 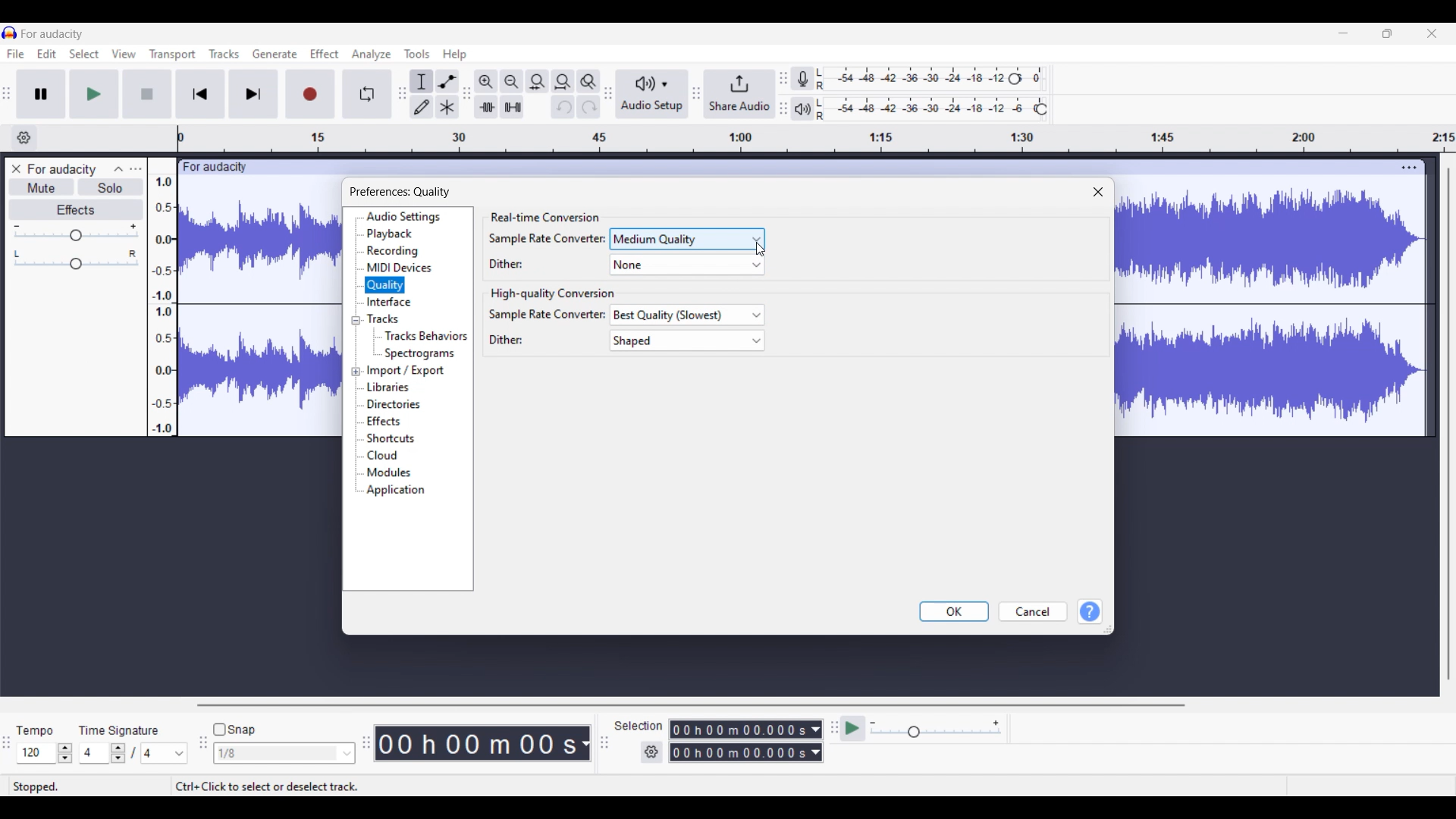 I want to click on Tracks behaviors, so click(x=425, y=336).